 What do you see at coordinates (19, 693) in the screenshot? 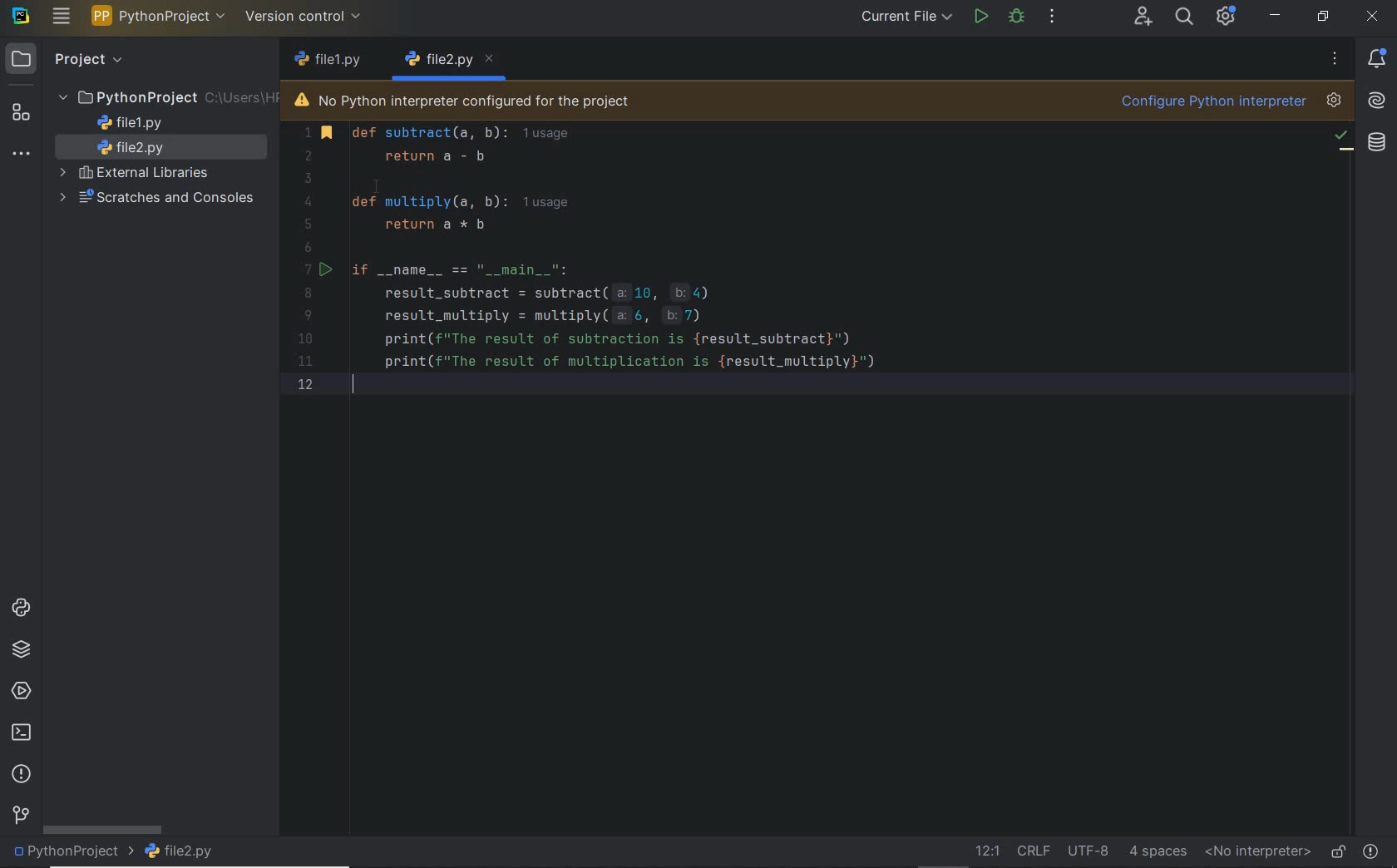
I see `services` at bounding box center [19, 693].